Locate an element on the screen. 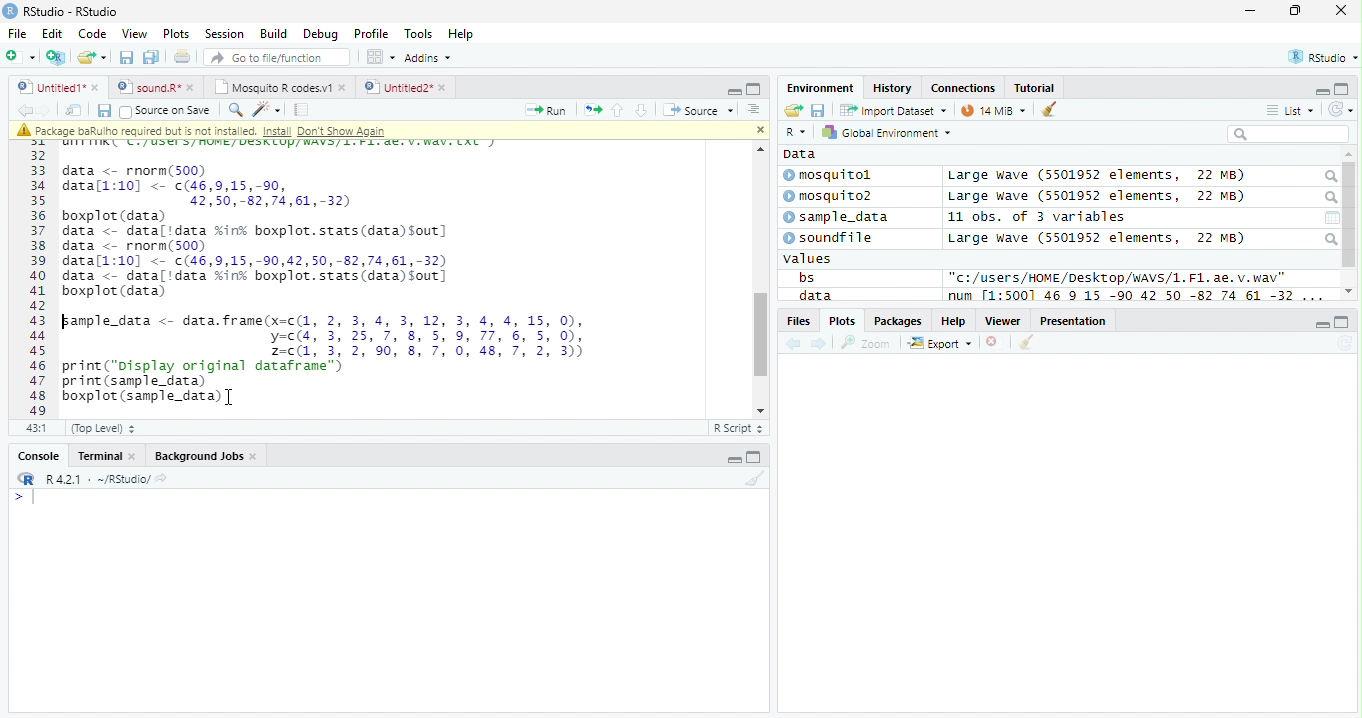 Image resolution: width=1362 pixels, height=718 pixels. Folder is located at coordinates (793, 110).